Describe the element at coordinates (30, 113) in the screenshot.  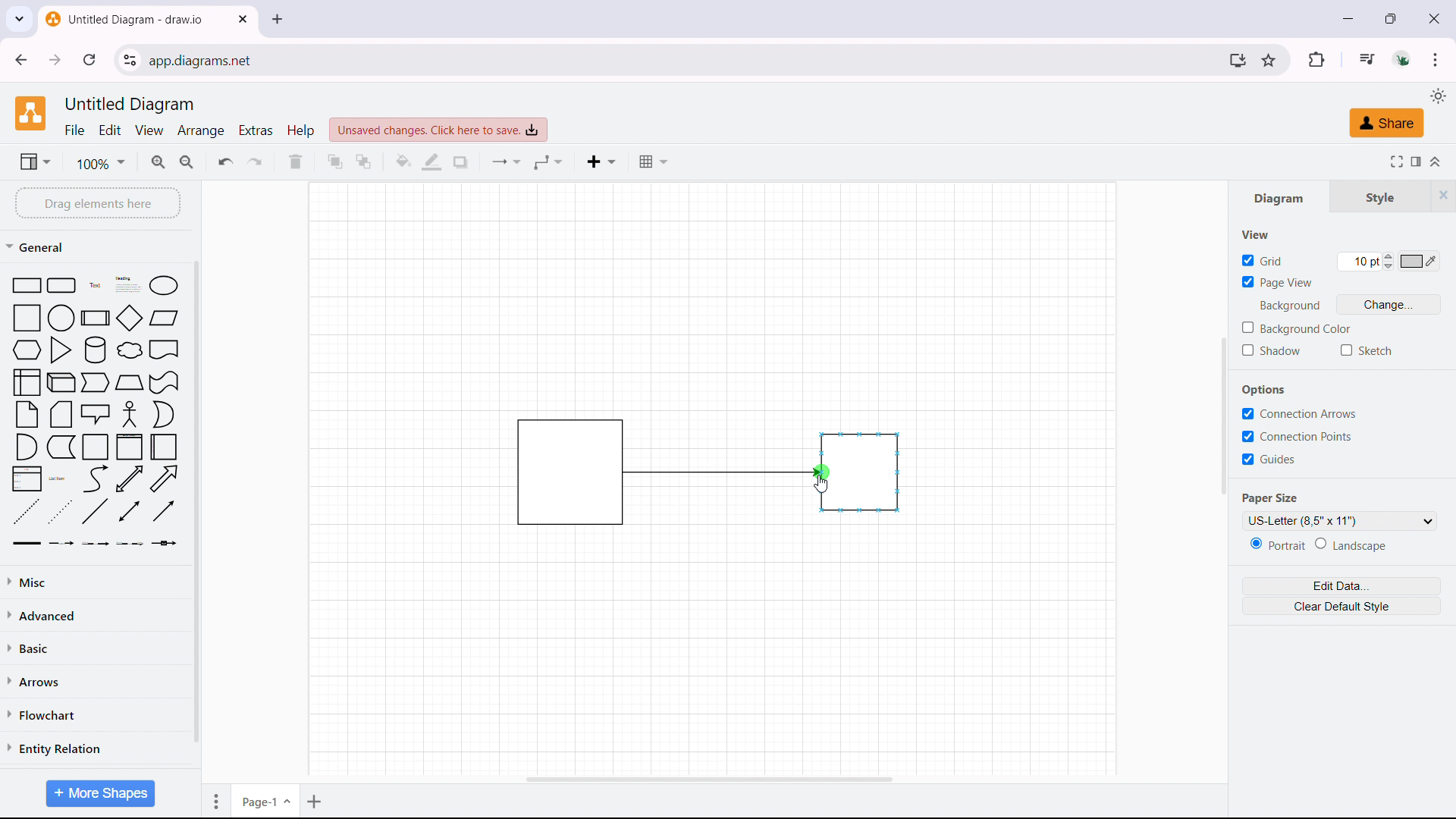
I see `logo` at that location.